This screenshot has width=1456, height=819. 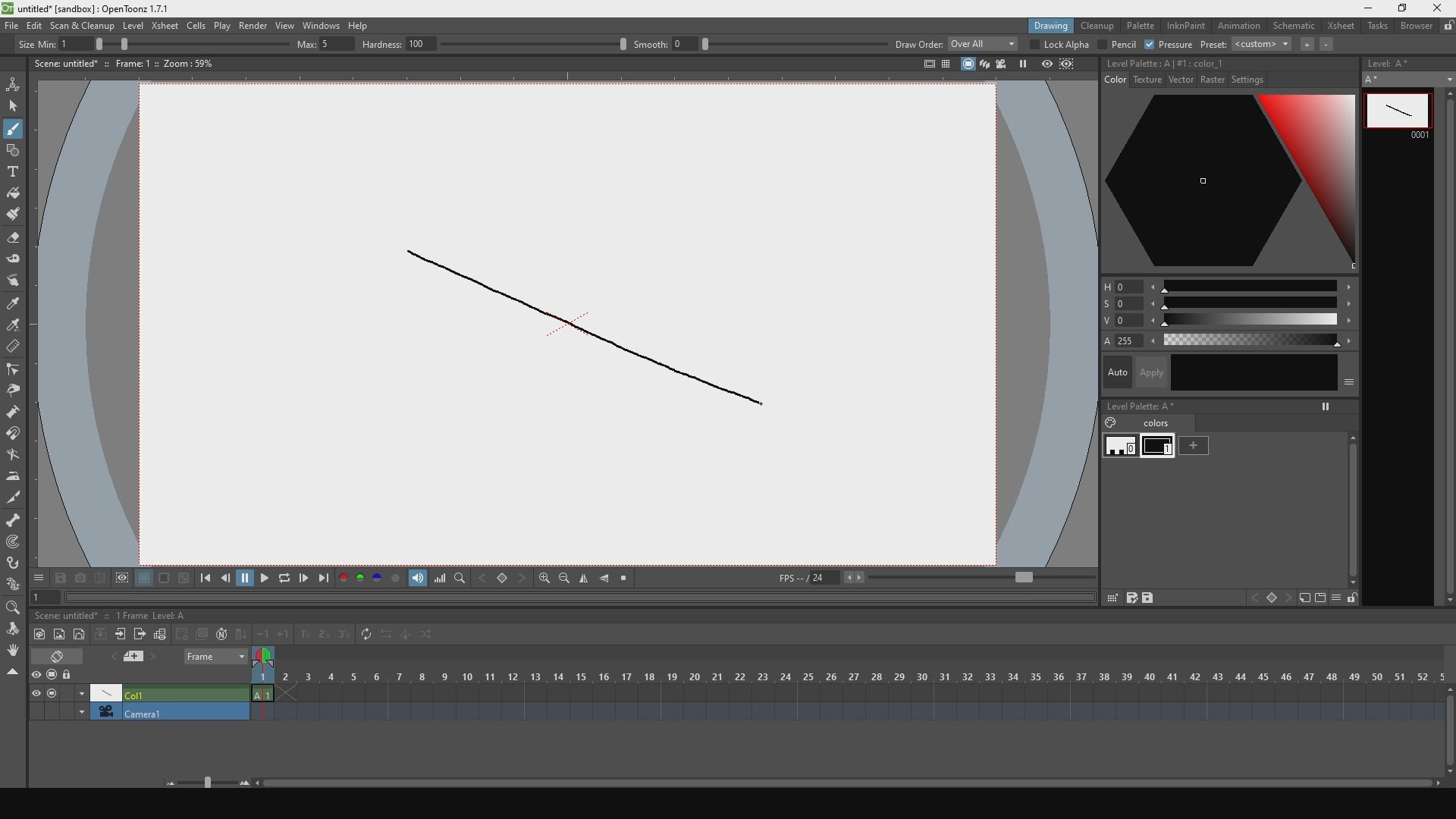 What do you see at coordinates (99, 8) in the screenshot?
I see `title` at bounding box center [99, 8].